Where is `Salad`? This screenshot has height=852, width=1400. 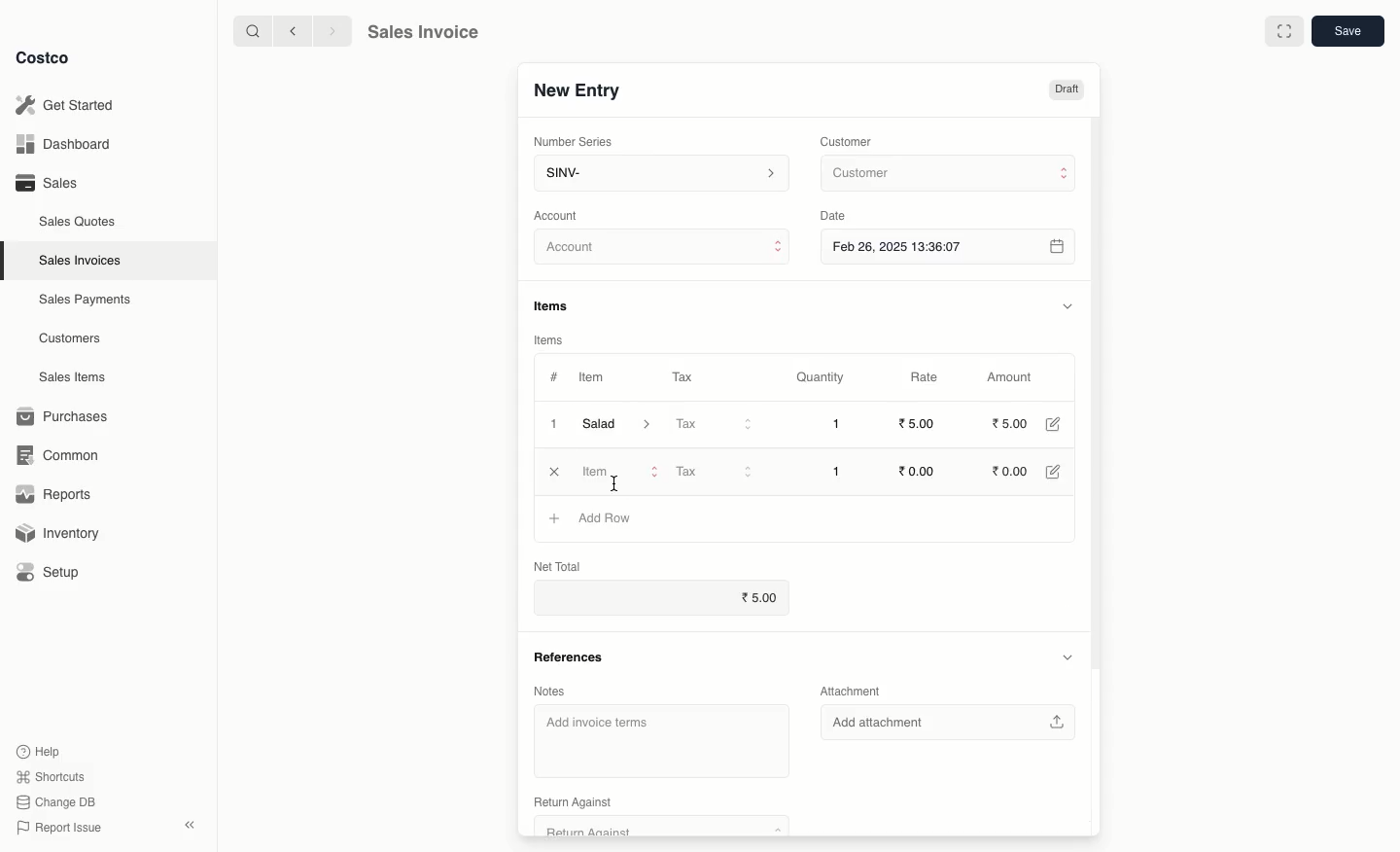 Salad is located at coordinates (617, 424).